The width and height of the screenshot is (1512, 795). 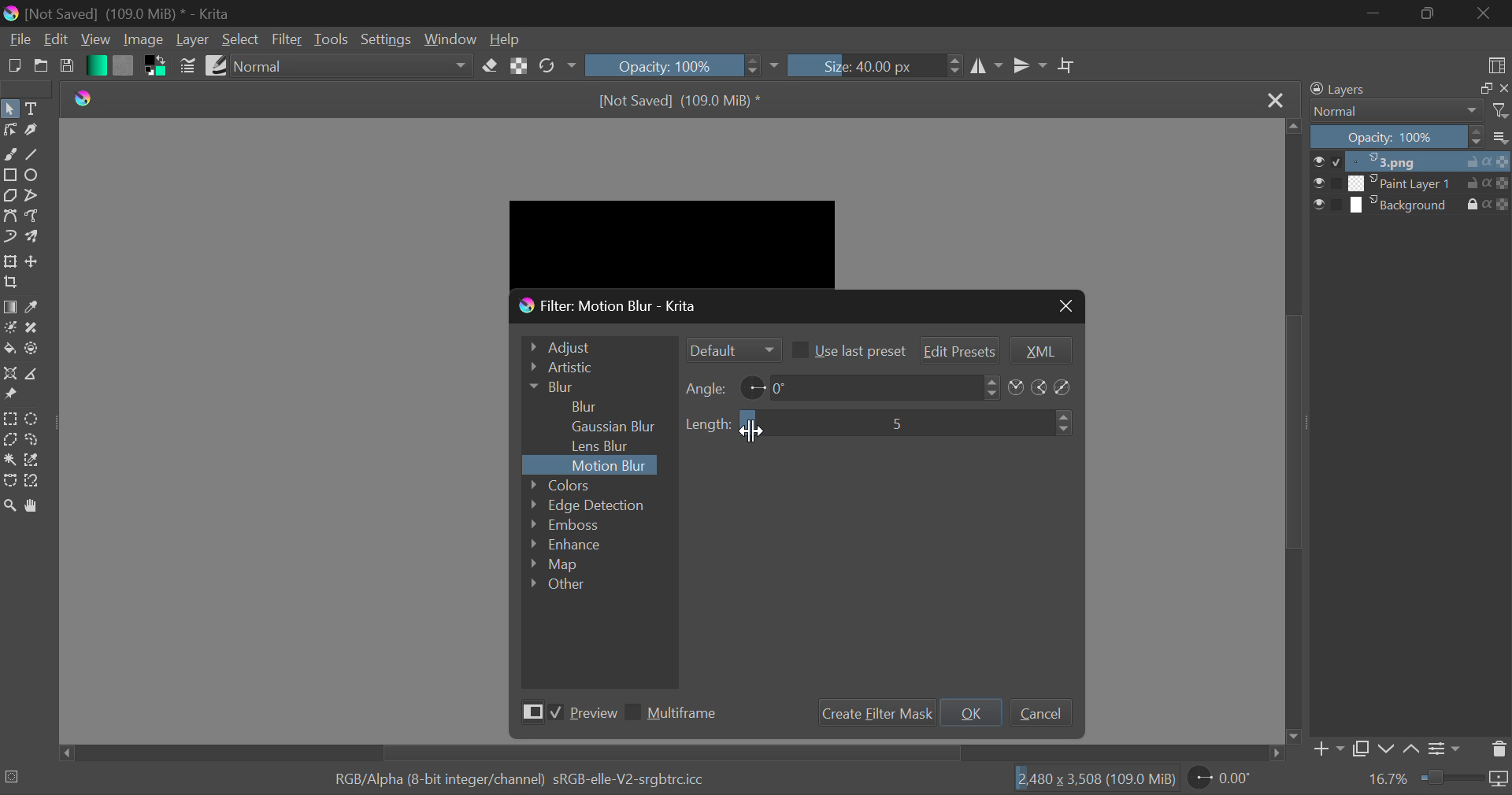 What do you see at coordinates (559, 583) in the screenshot?
I see `Other` at bounding box center [559, 583].